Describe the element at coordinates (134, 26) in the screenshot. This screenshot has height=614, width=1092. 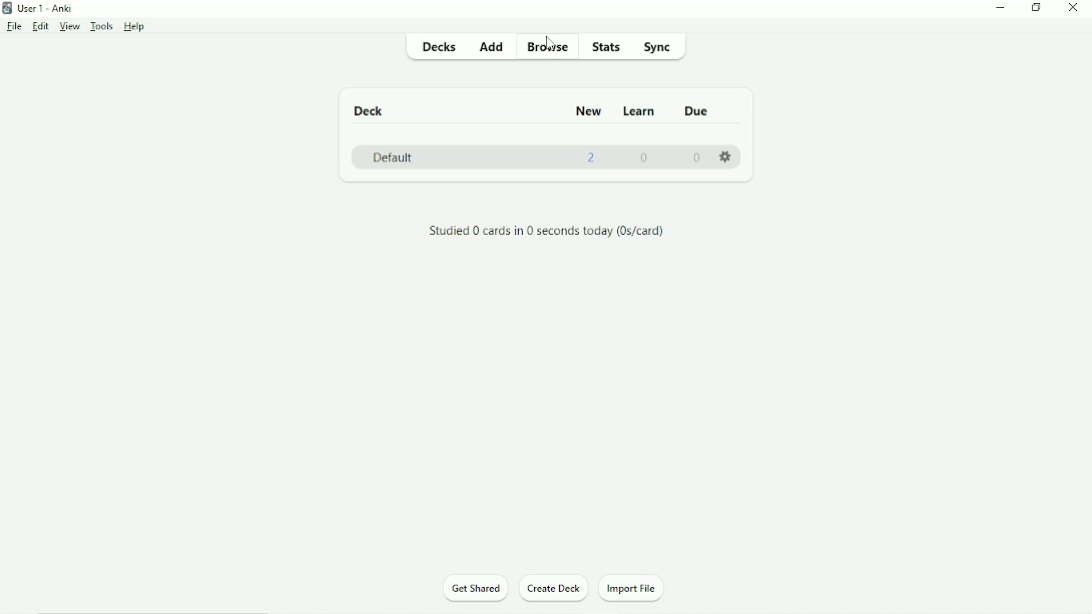
I see `Help` at that location.